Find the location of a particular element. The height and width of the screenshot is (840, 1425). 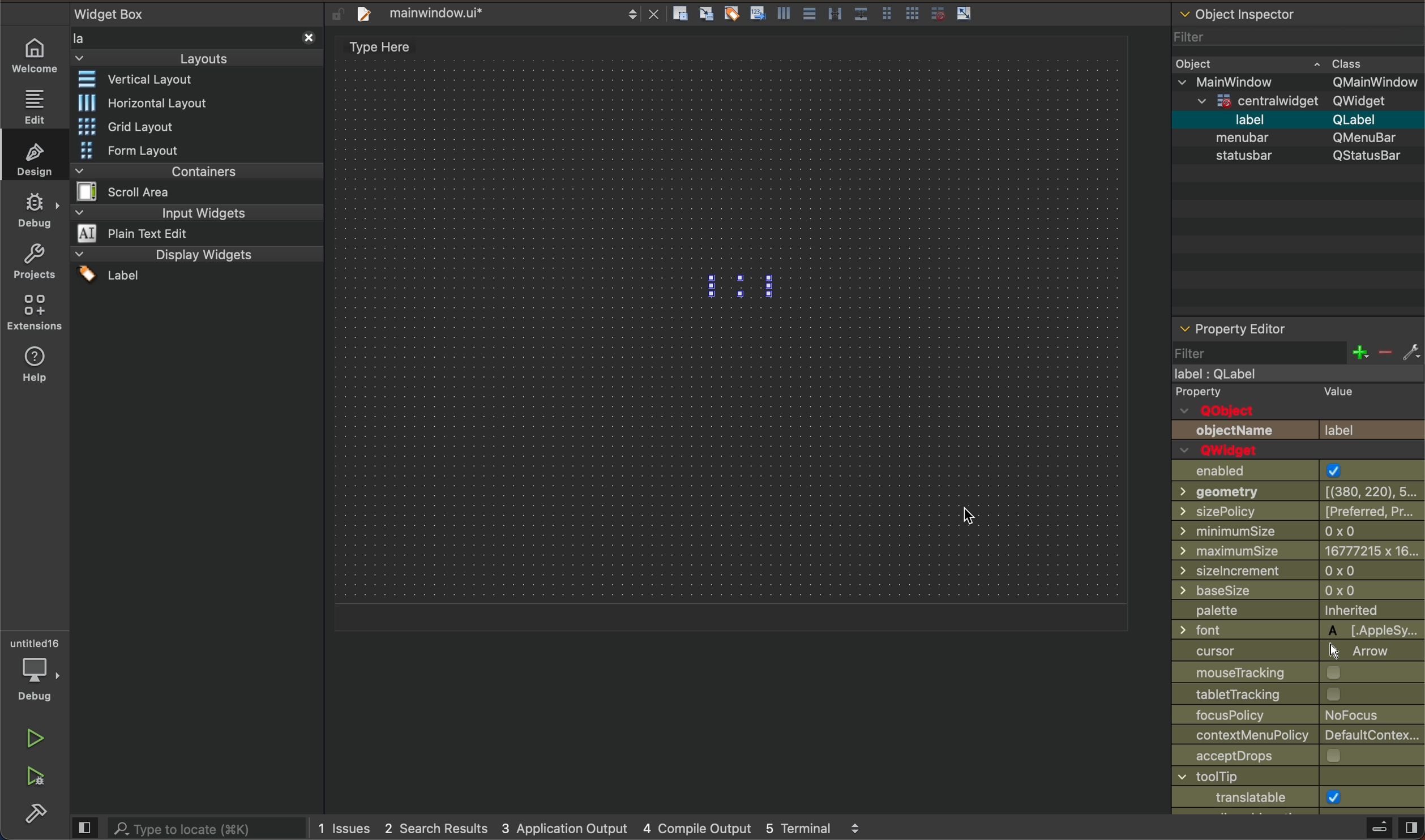

issues is located at coordinates (344, 827).